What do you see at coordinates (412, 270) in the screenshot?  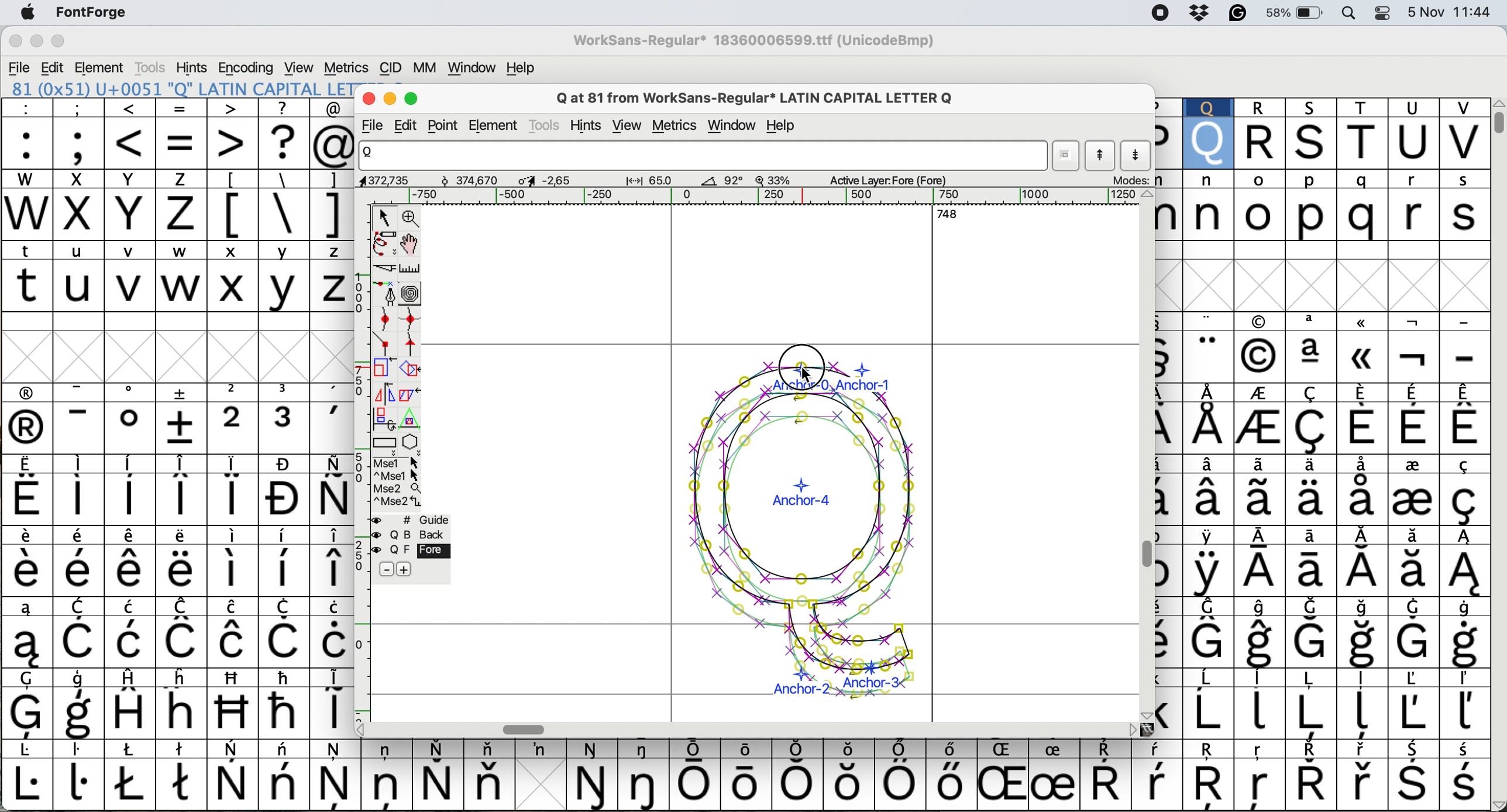 I see `measure distance` at bounding box center [412, 270].